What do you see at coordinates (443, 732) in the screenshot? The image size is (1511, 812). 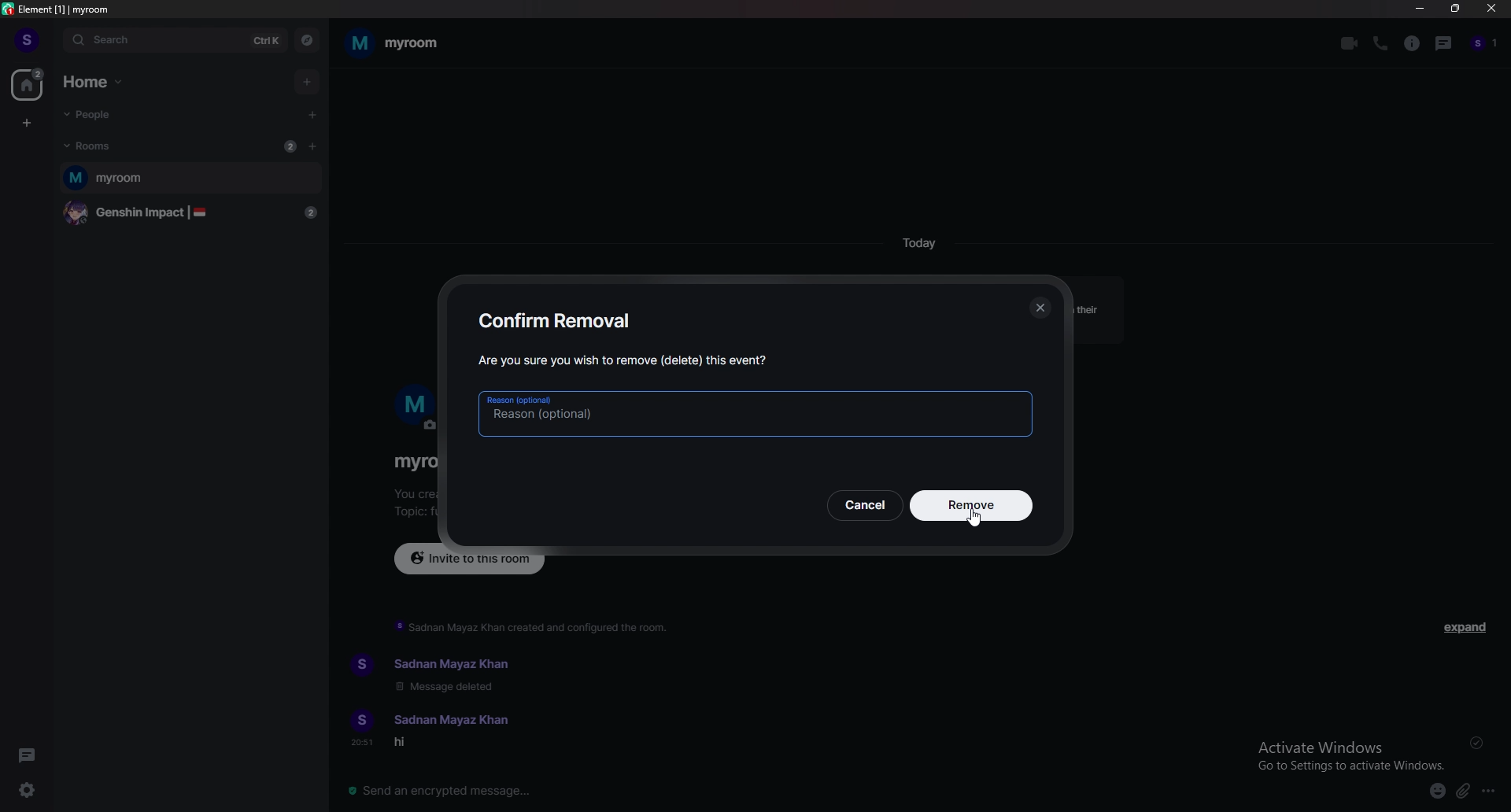 I see `sadnan mayaz khan 20:51 hi` at bounding box center [443, 732].